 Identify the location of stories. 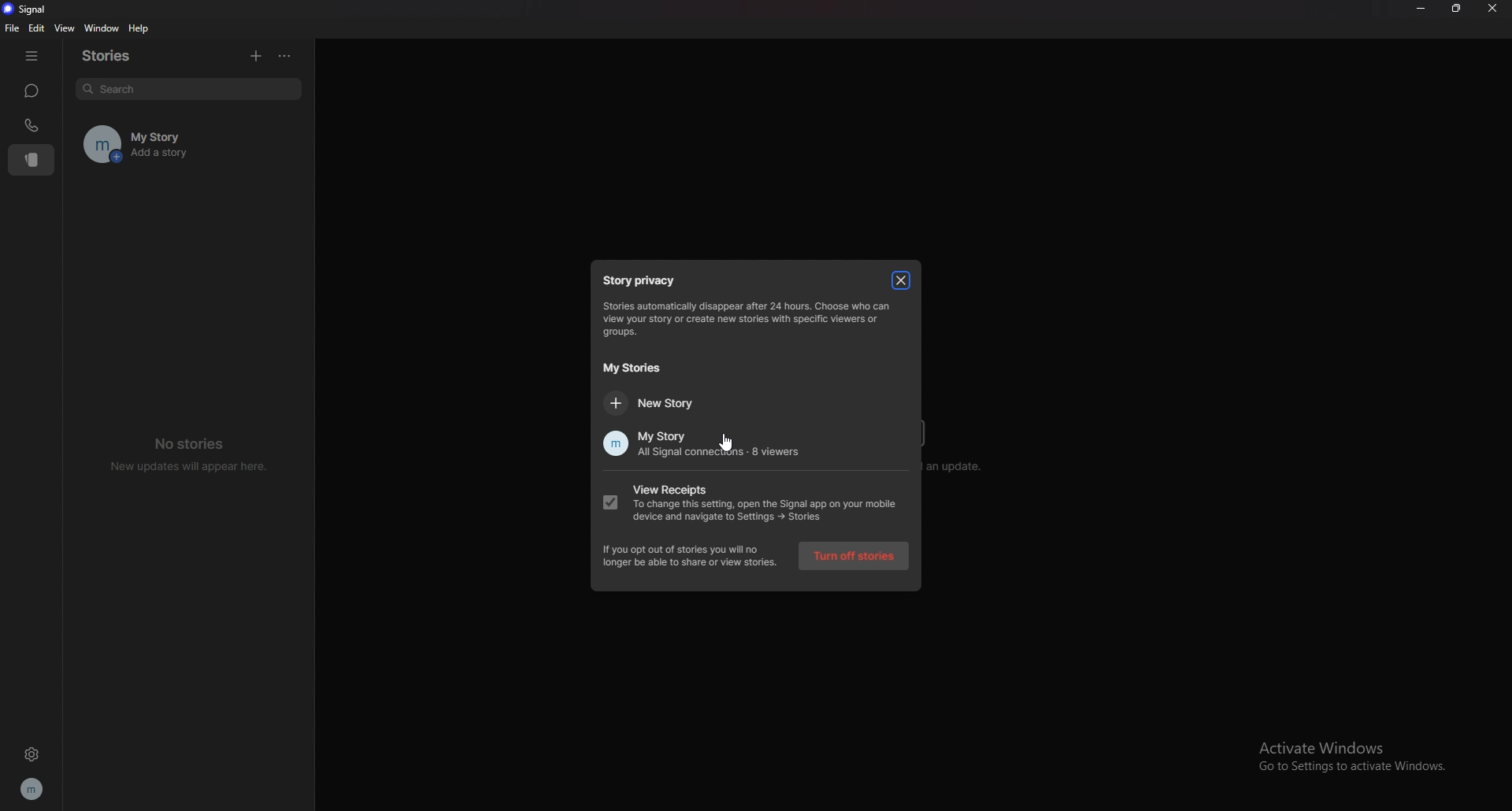
(120, 56).